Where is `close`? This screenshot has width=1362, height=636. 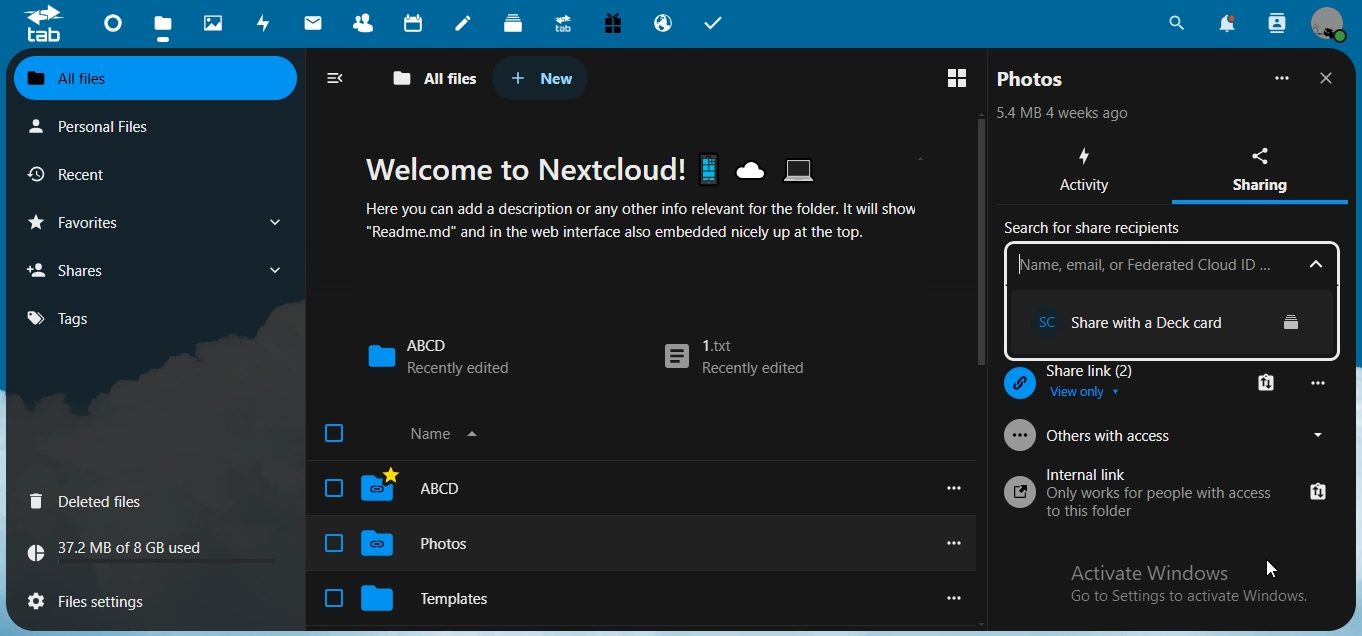 close is located at coordinates (1330, 78).